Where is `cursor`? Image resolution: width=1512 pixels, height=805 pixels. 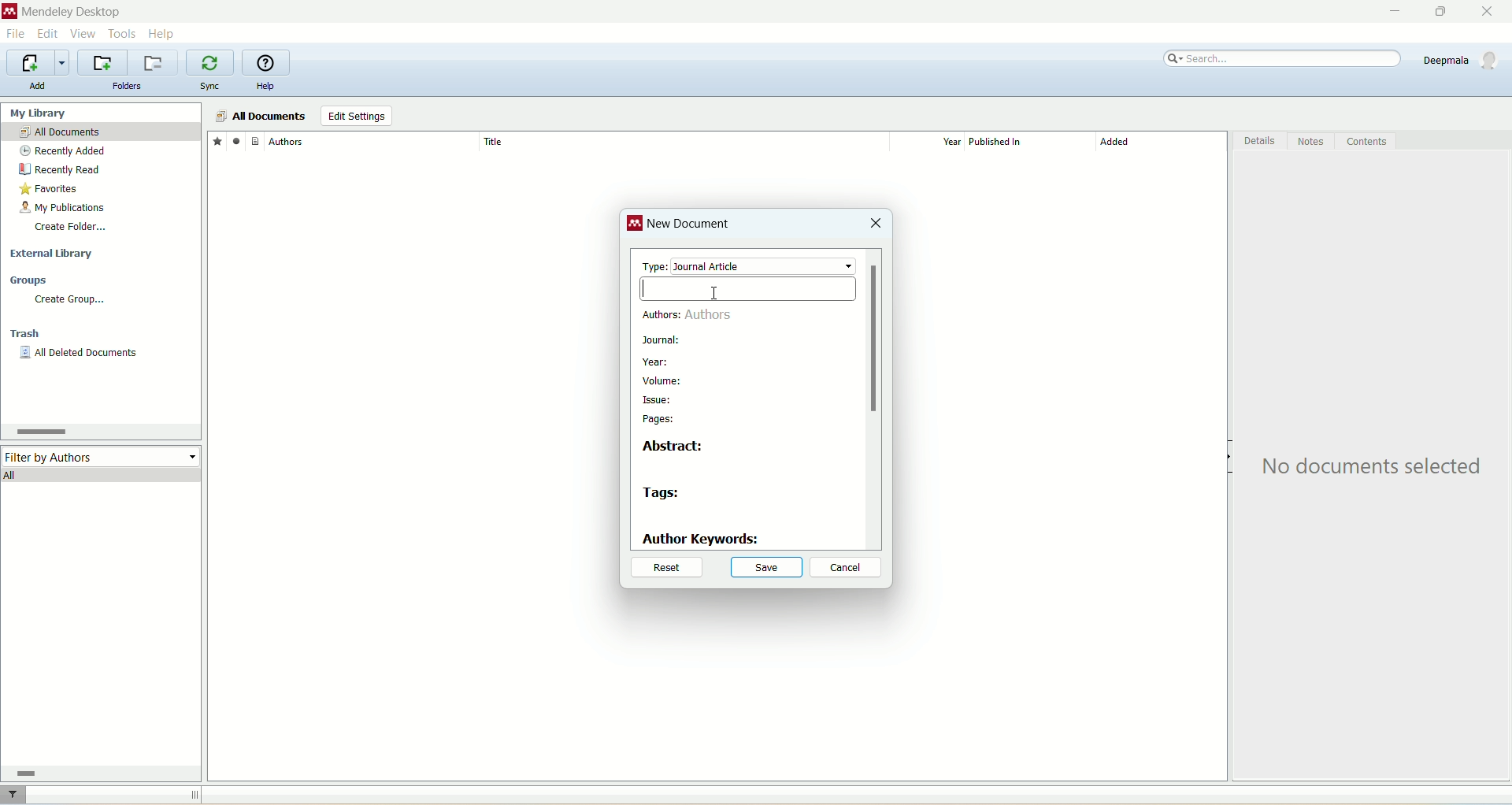
cursor is located at coordinates (650, 288).